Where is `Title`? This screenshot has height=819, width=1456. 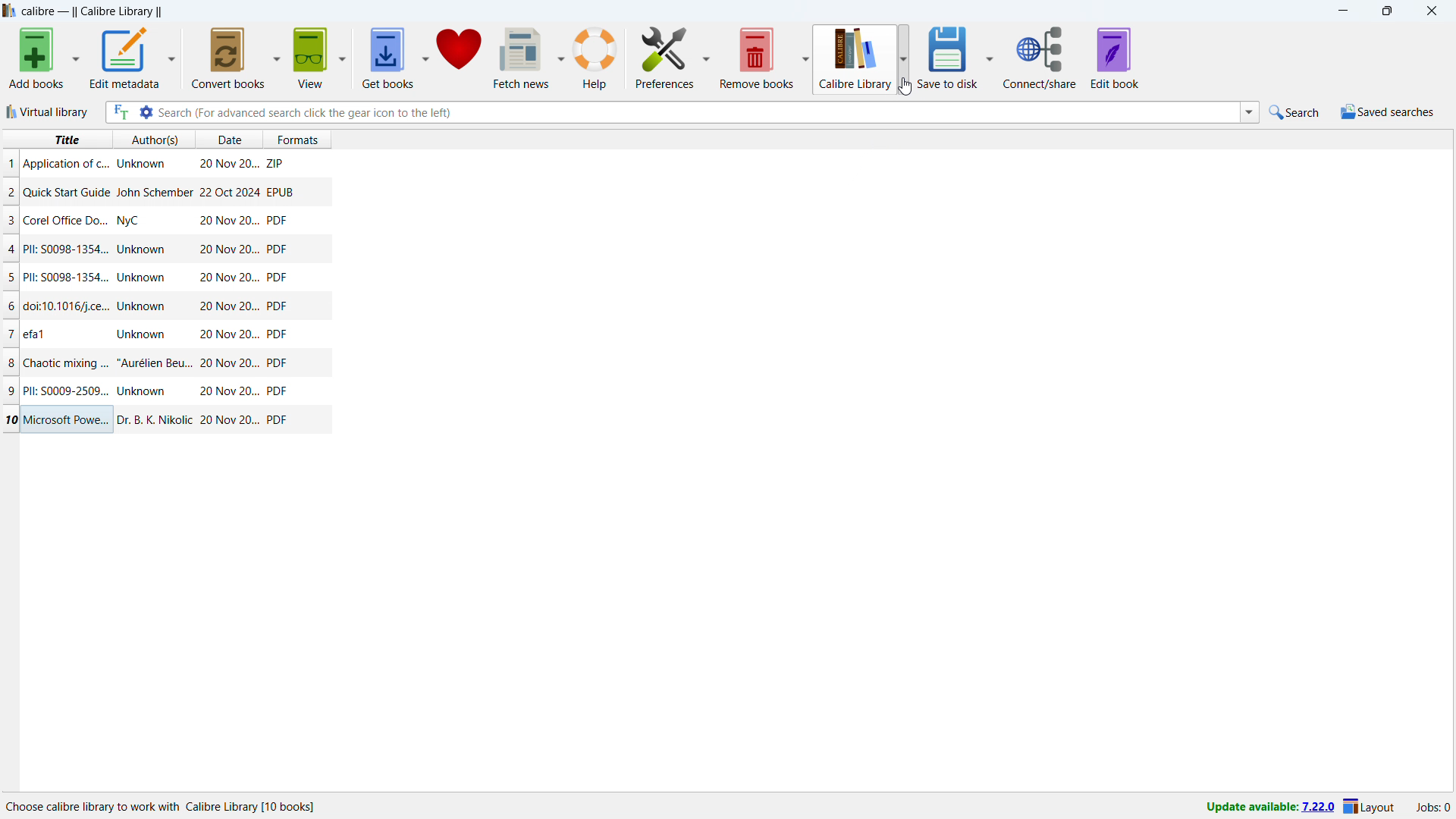 Title is located at coordinates (70, 220).